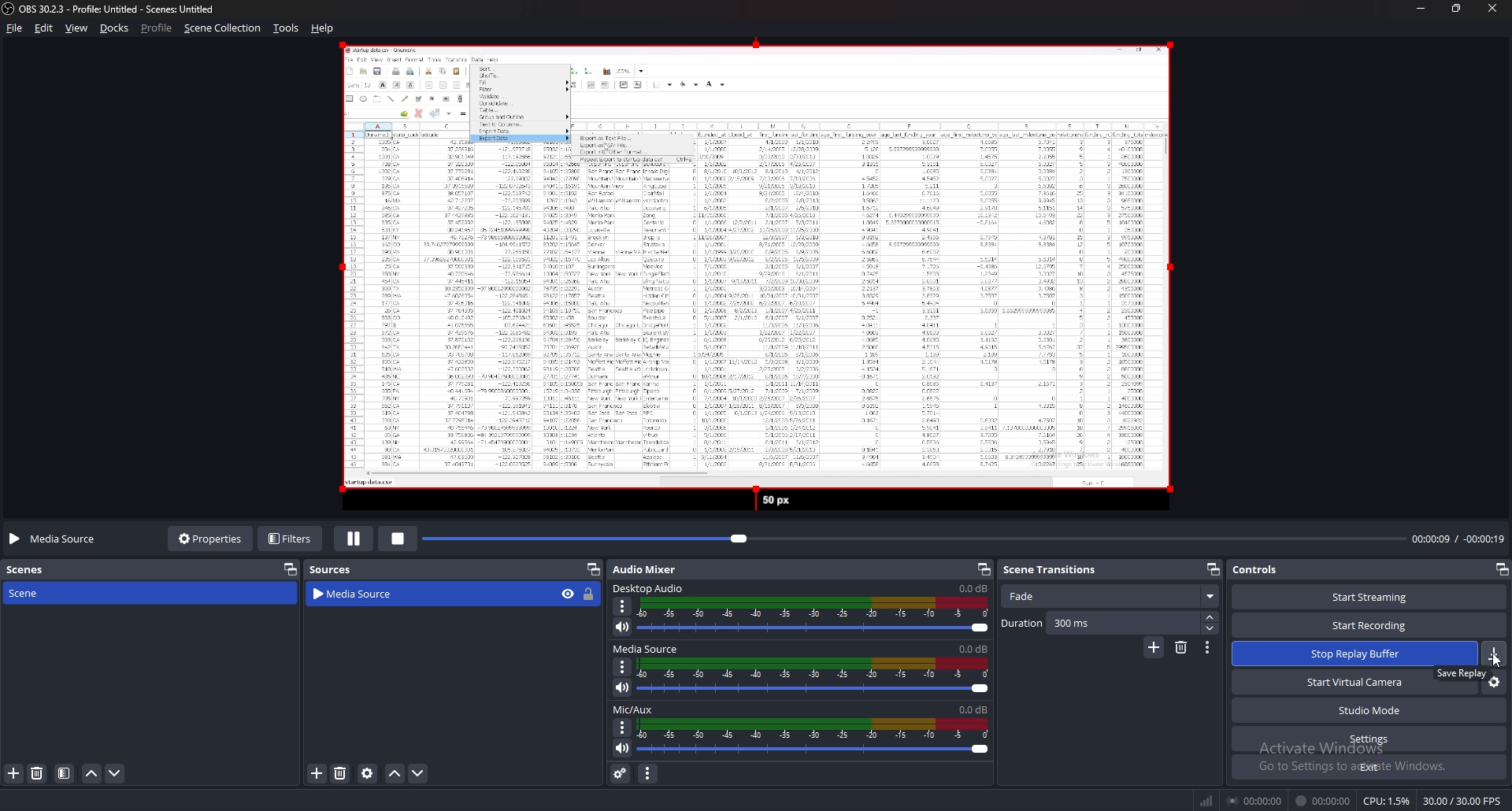  What do you see at coordinates (1492, 8) in the screenshot?
I see `close` at bounding box center [1492, 8].